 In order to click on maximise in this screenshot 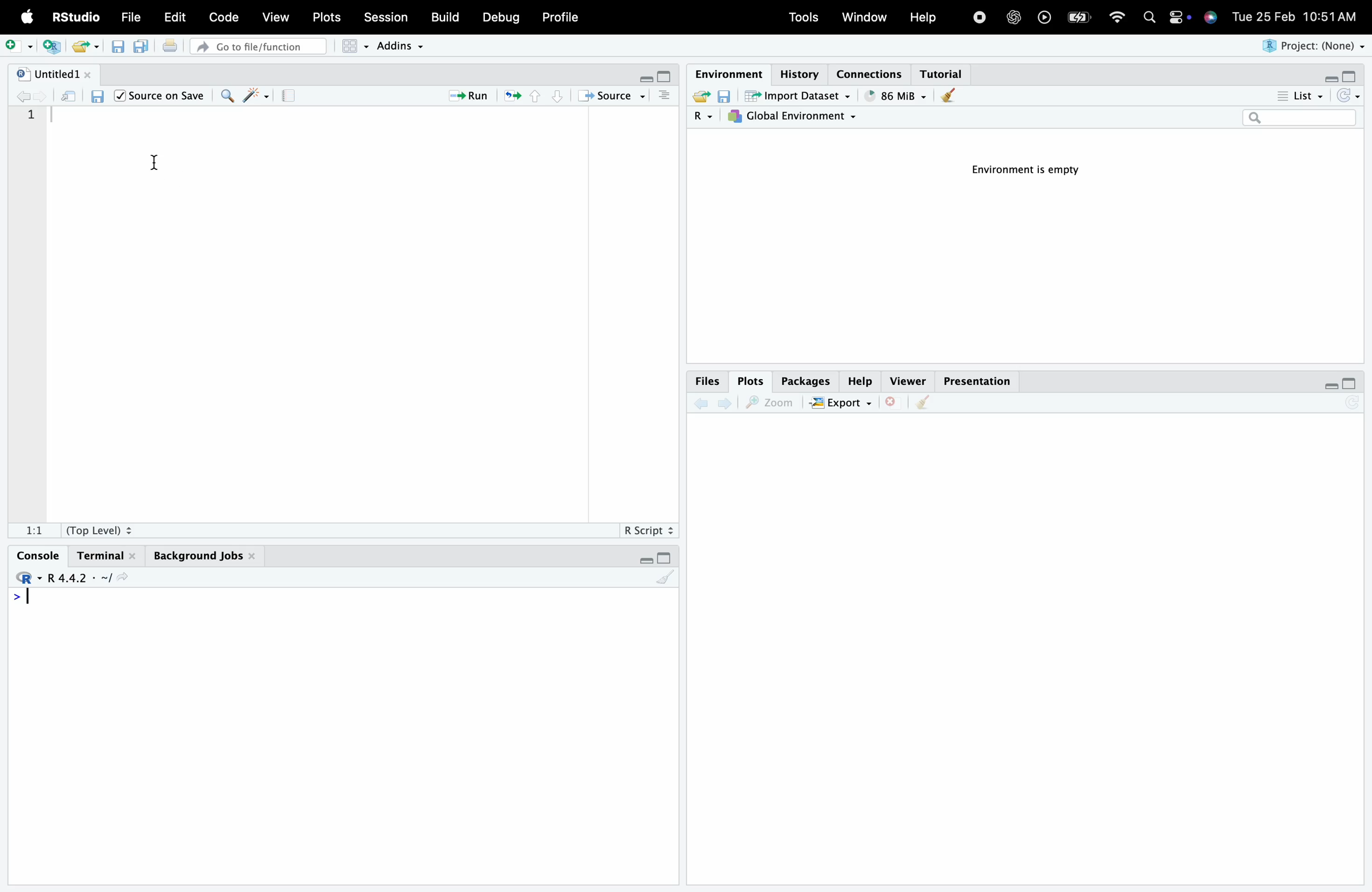, I will do `click(1352, 78)`.